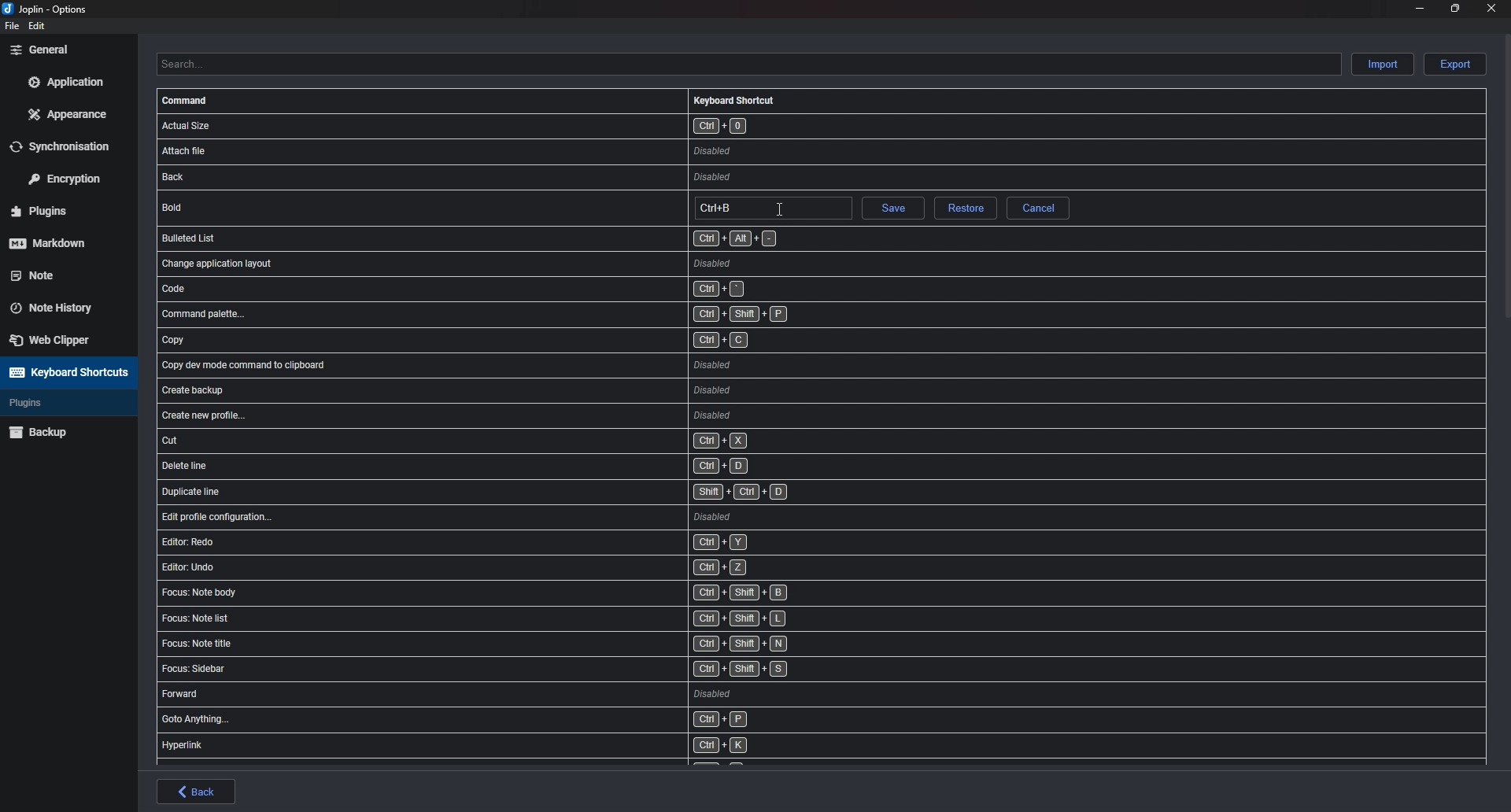  I want to click on Back up, so click(65, 431).